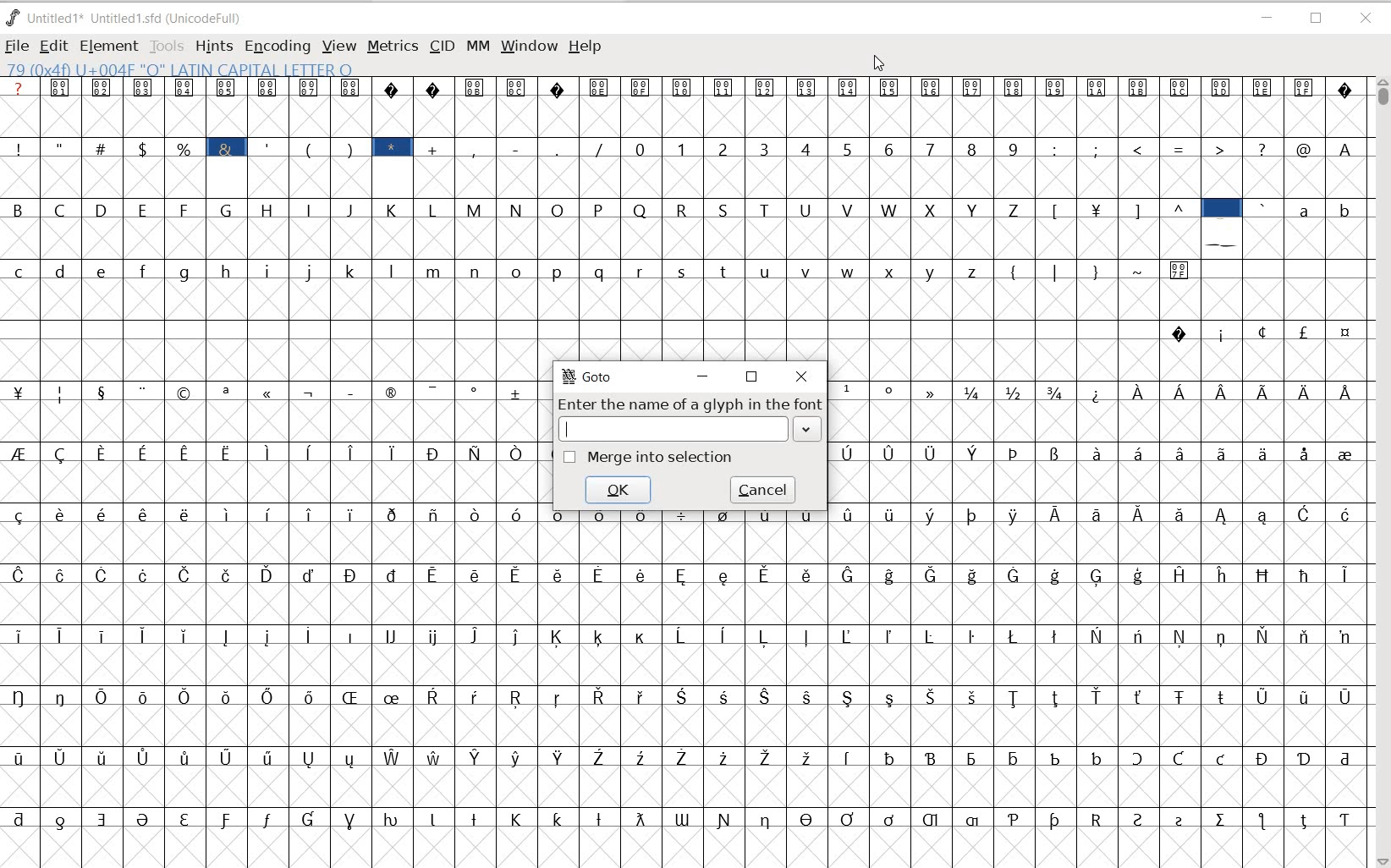 Image resolution: width=1391 pixels, height=868 pixels. What do you see at coordinates (1366, 19) in the screenshot?
I see `CLOSE` at bounding box center [1366, 19].